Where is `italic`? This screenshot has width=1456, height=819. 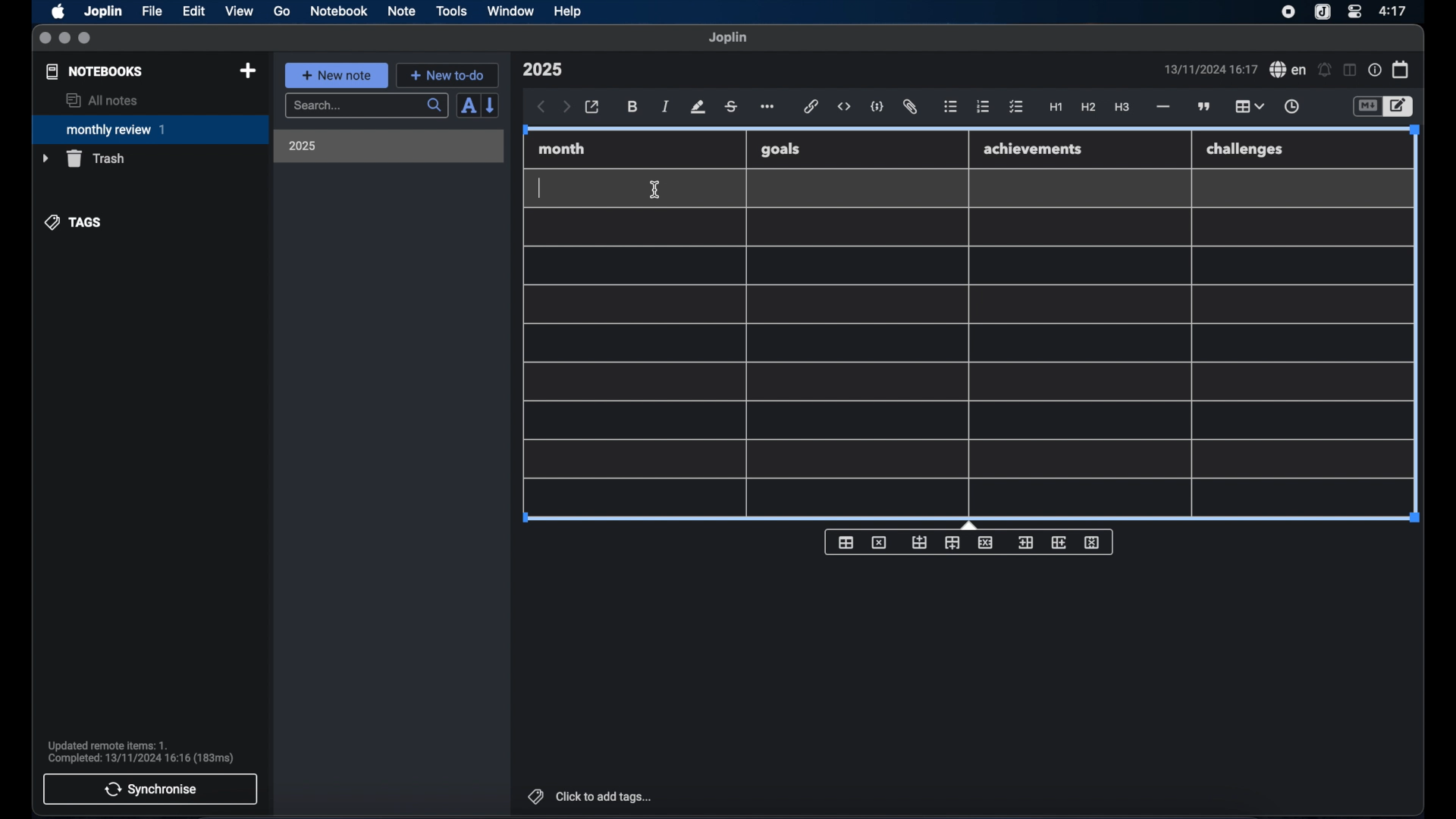
italic is located at coordinates (666, 106).